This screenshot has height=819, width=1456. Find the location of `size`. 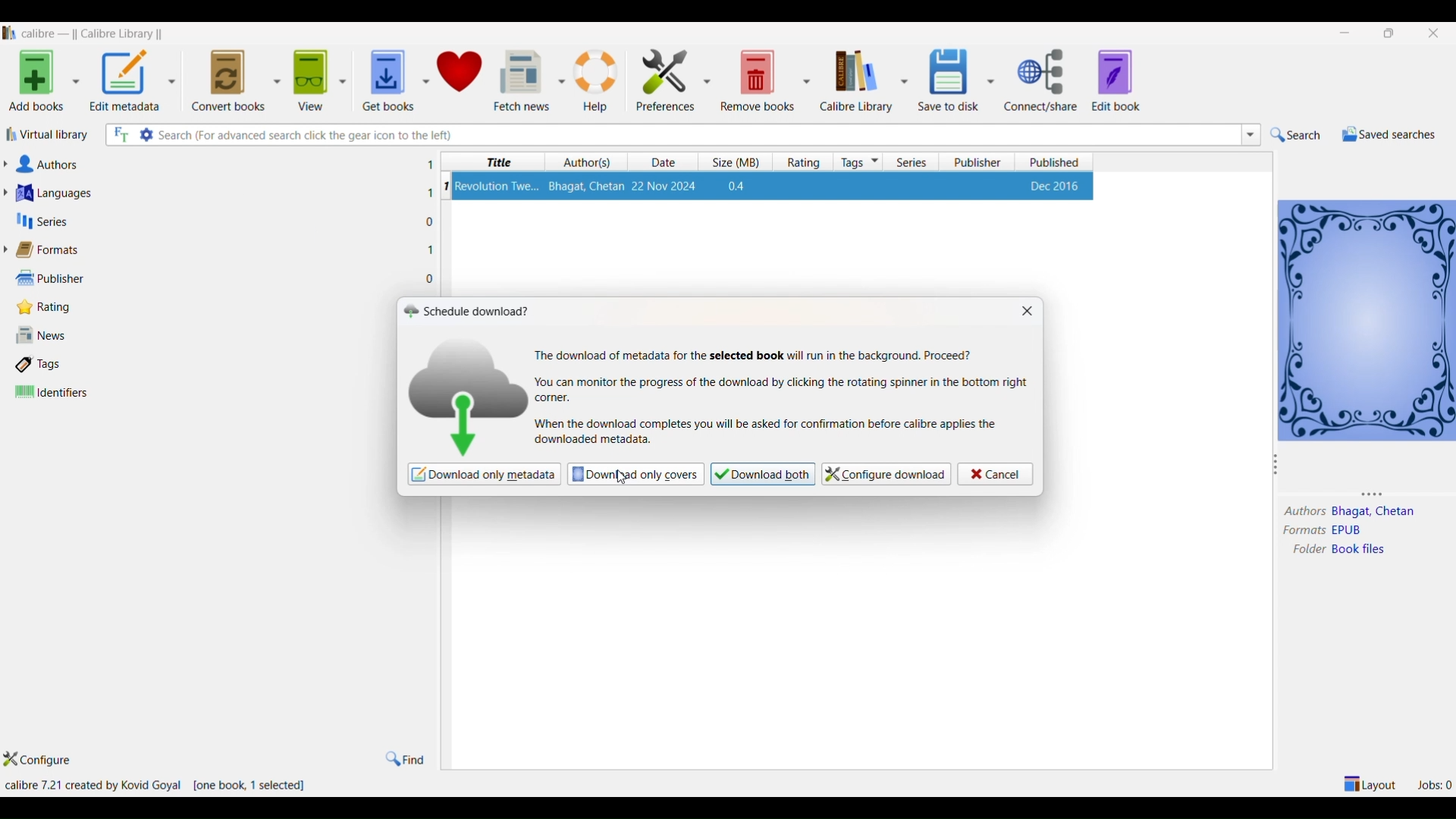

size is located at coordinates (732, 162).